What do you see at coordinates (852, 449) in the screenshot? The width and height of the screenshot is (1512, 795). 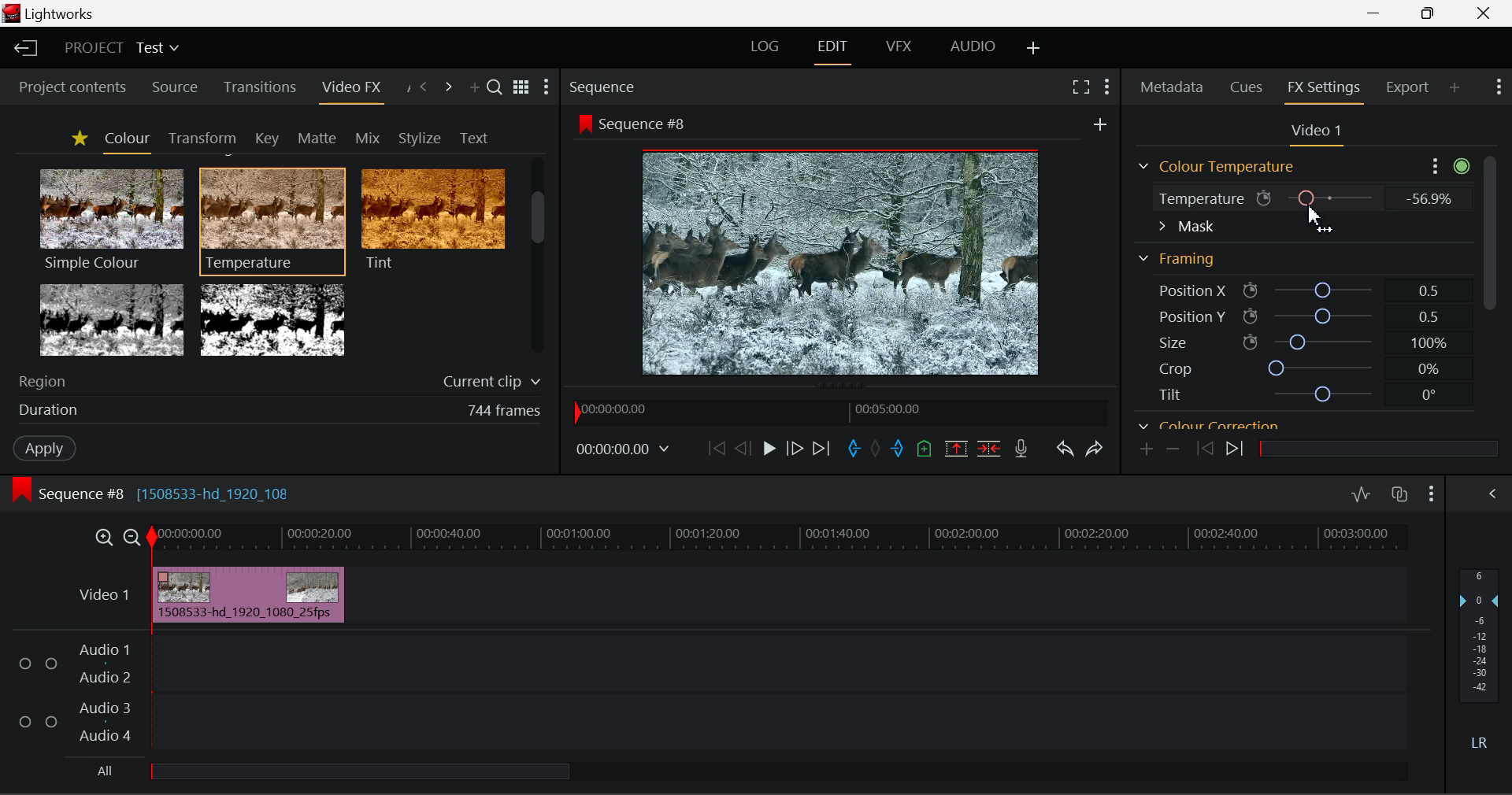 I see `Mark In` at bounding box center [852, 449].